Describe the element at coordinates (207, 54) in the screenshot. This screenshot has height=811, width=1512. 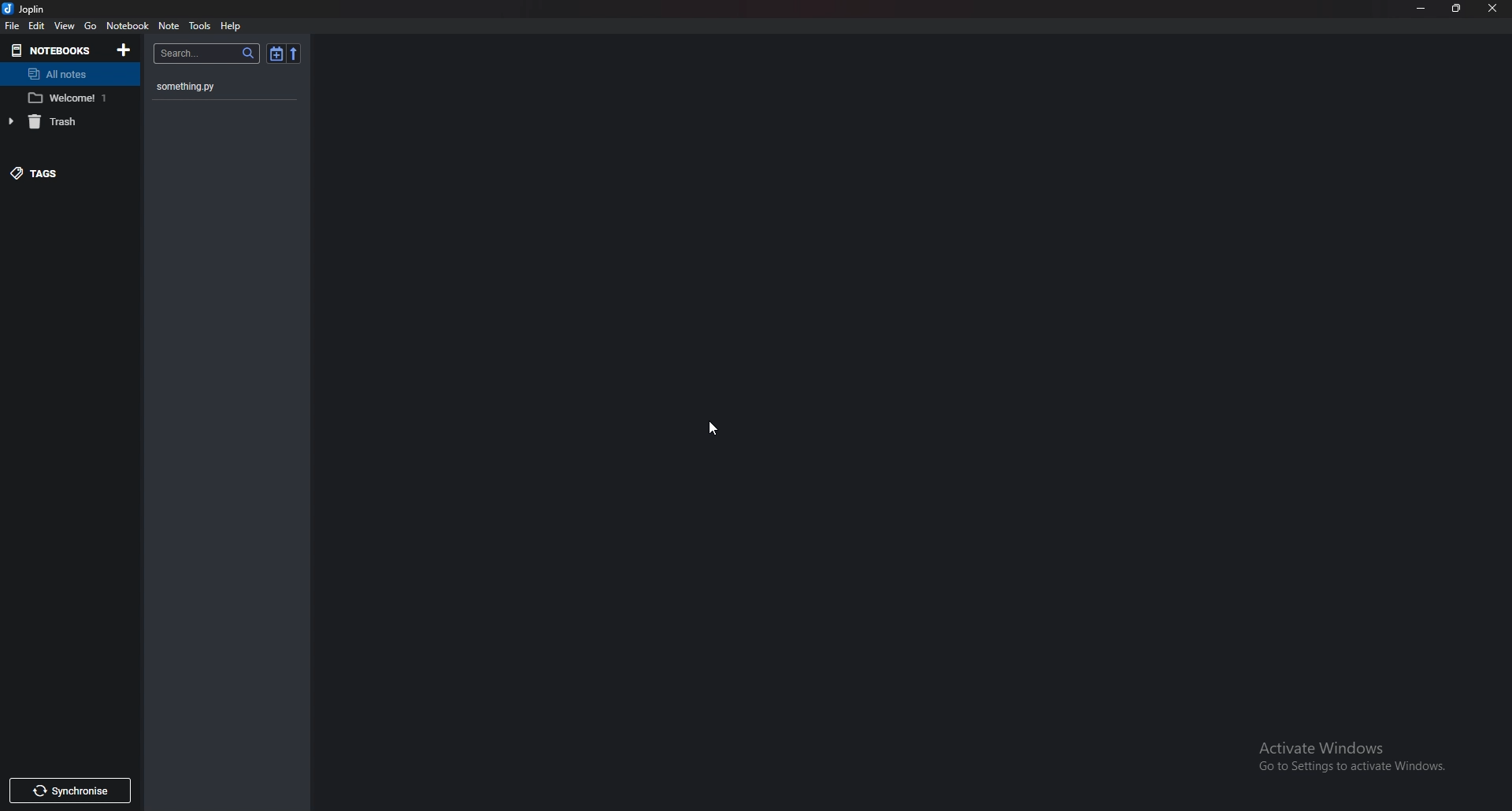
I see `search` at that location.